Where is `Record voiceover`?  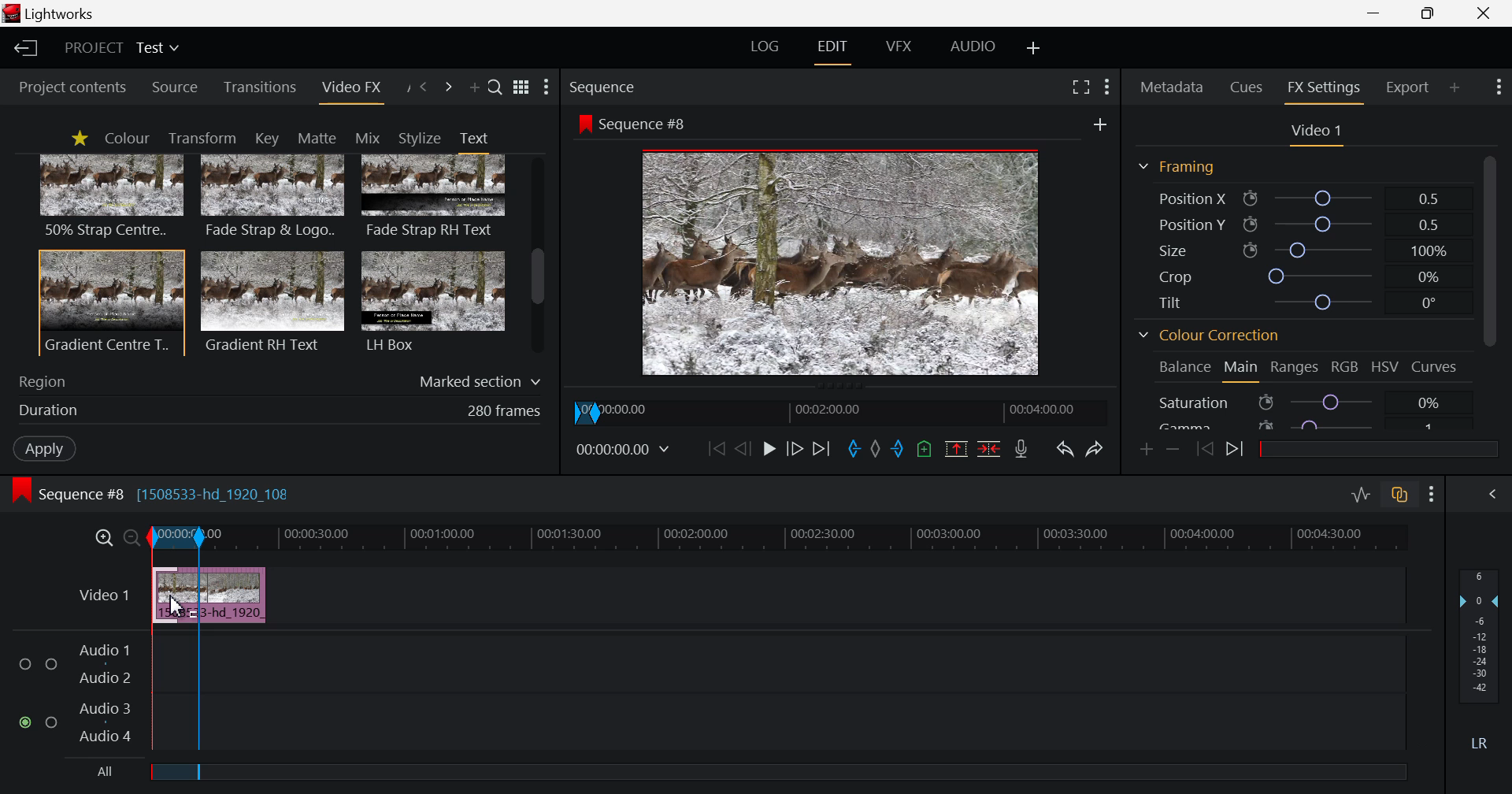 Record voiceover is located at coordinates (1021, 451).